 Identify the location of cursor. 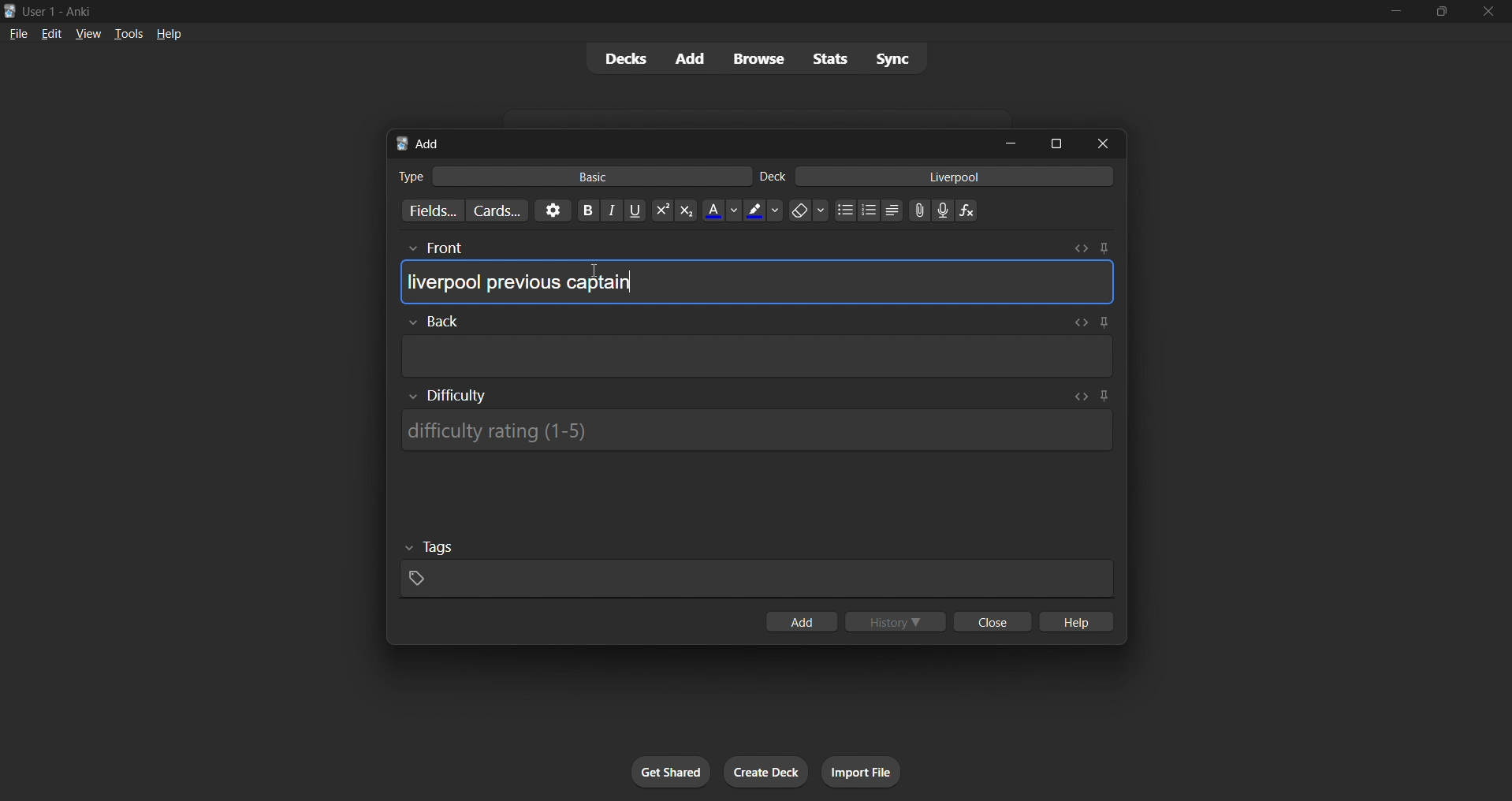
(599, 281).